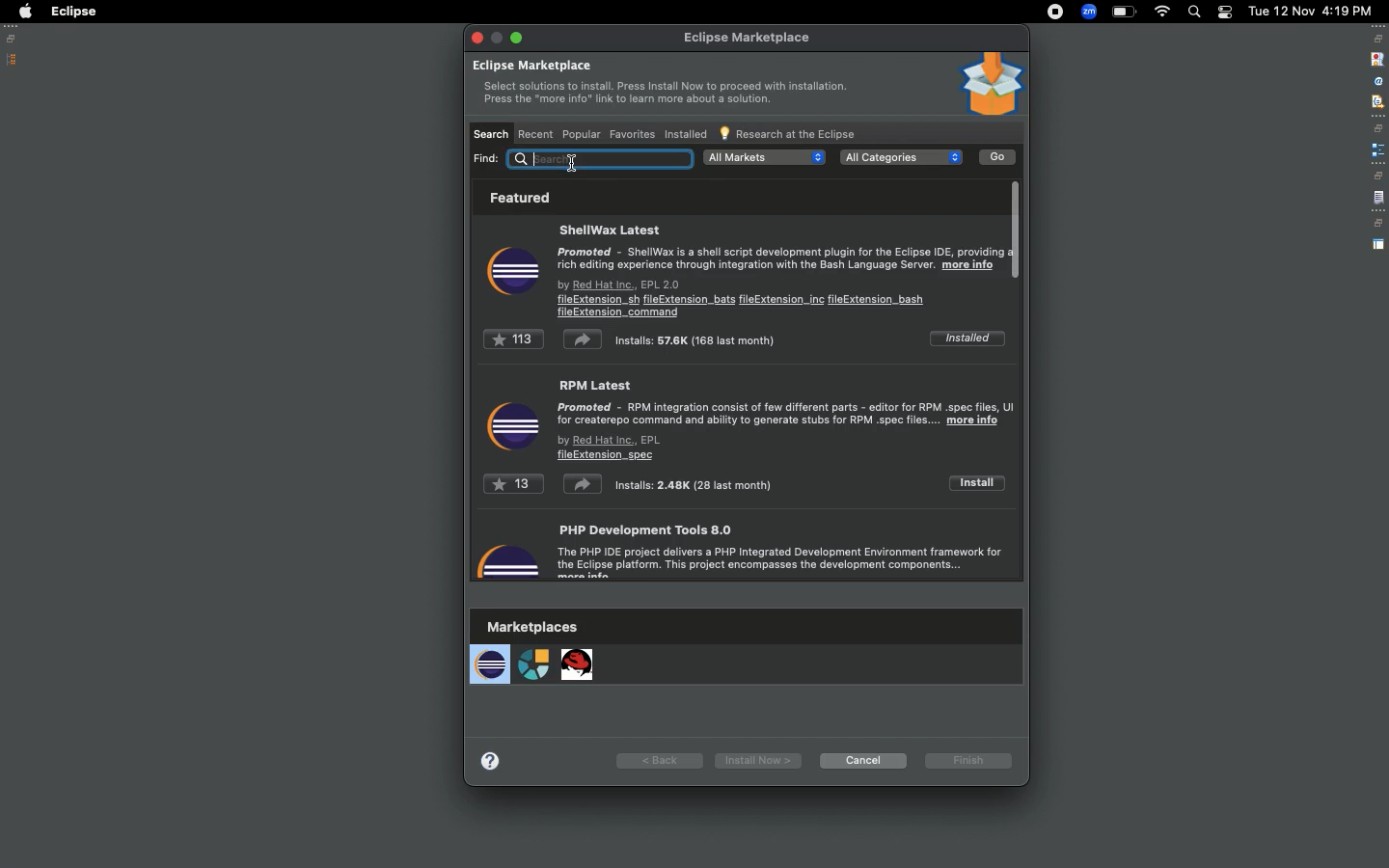  Describe the element at coordinates (781, 269) in the screenshot. I see `ShellWax latest` at that location.